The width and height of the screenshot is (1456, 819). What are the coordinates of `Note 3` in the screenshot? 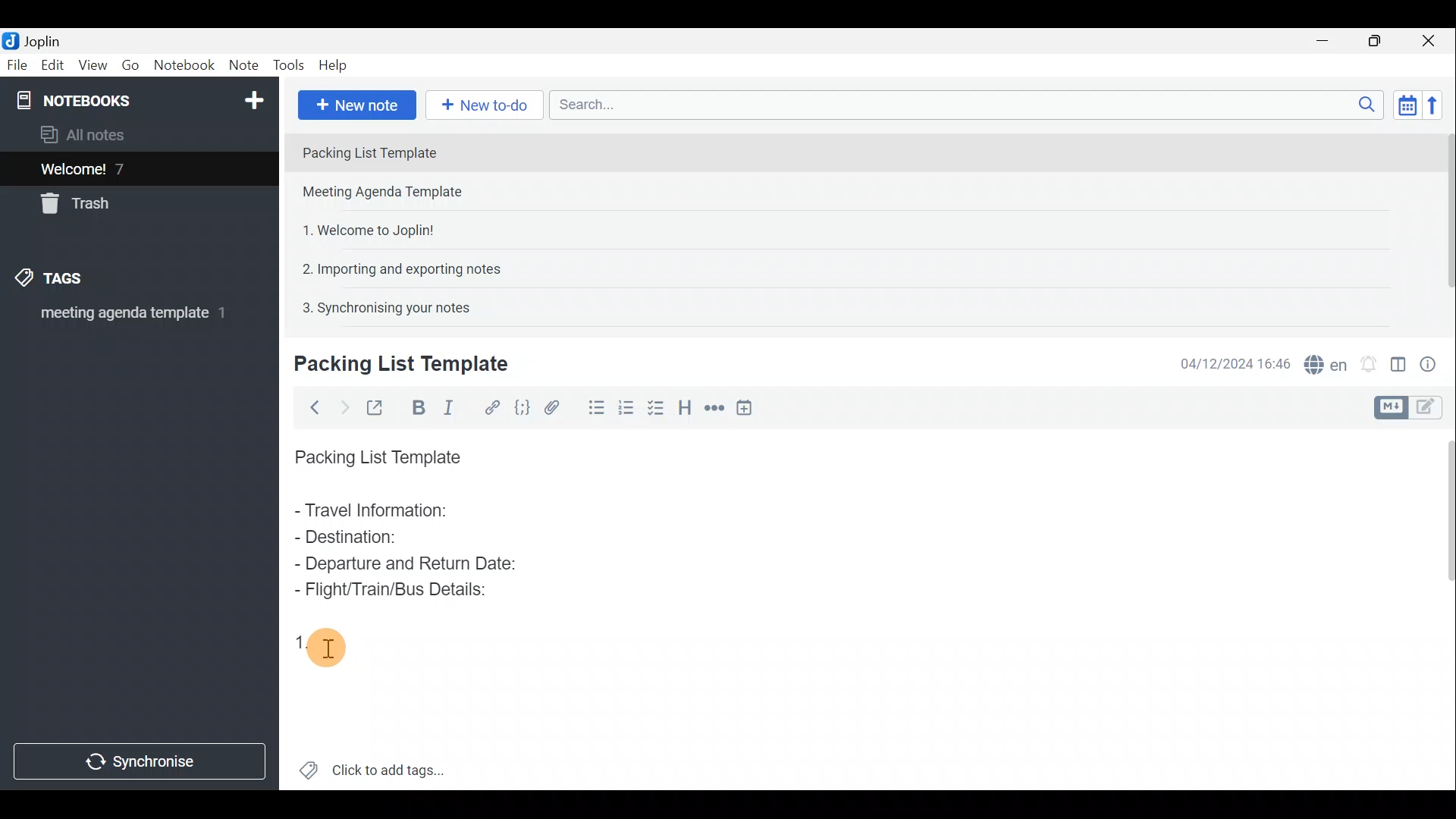 It's located at (362, 228).